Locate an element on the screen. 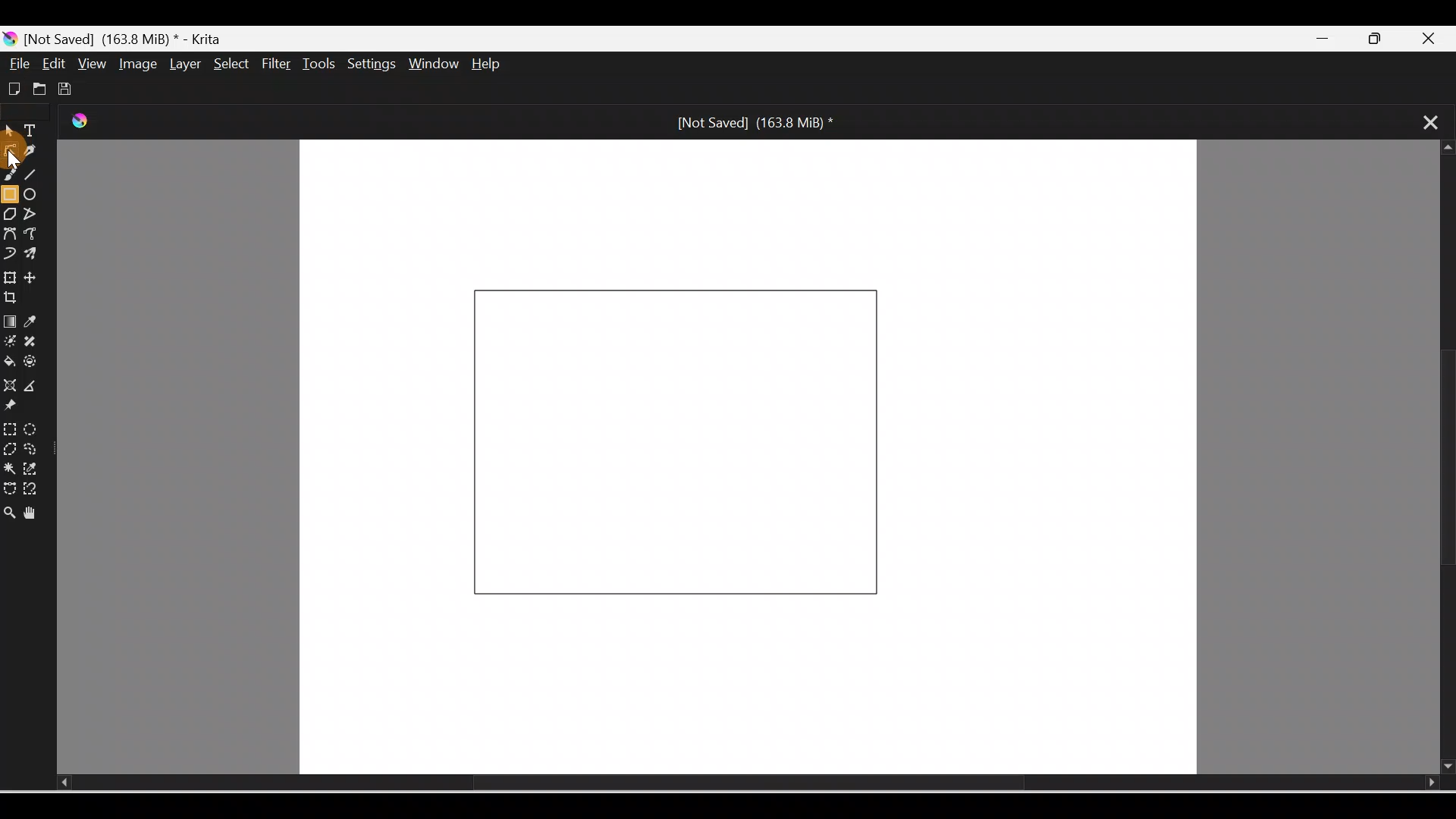 This screenshot has height=819, width=1456. Cursor on edit shapes tool is located at coordinates (9, 155).